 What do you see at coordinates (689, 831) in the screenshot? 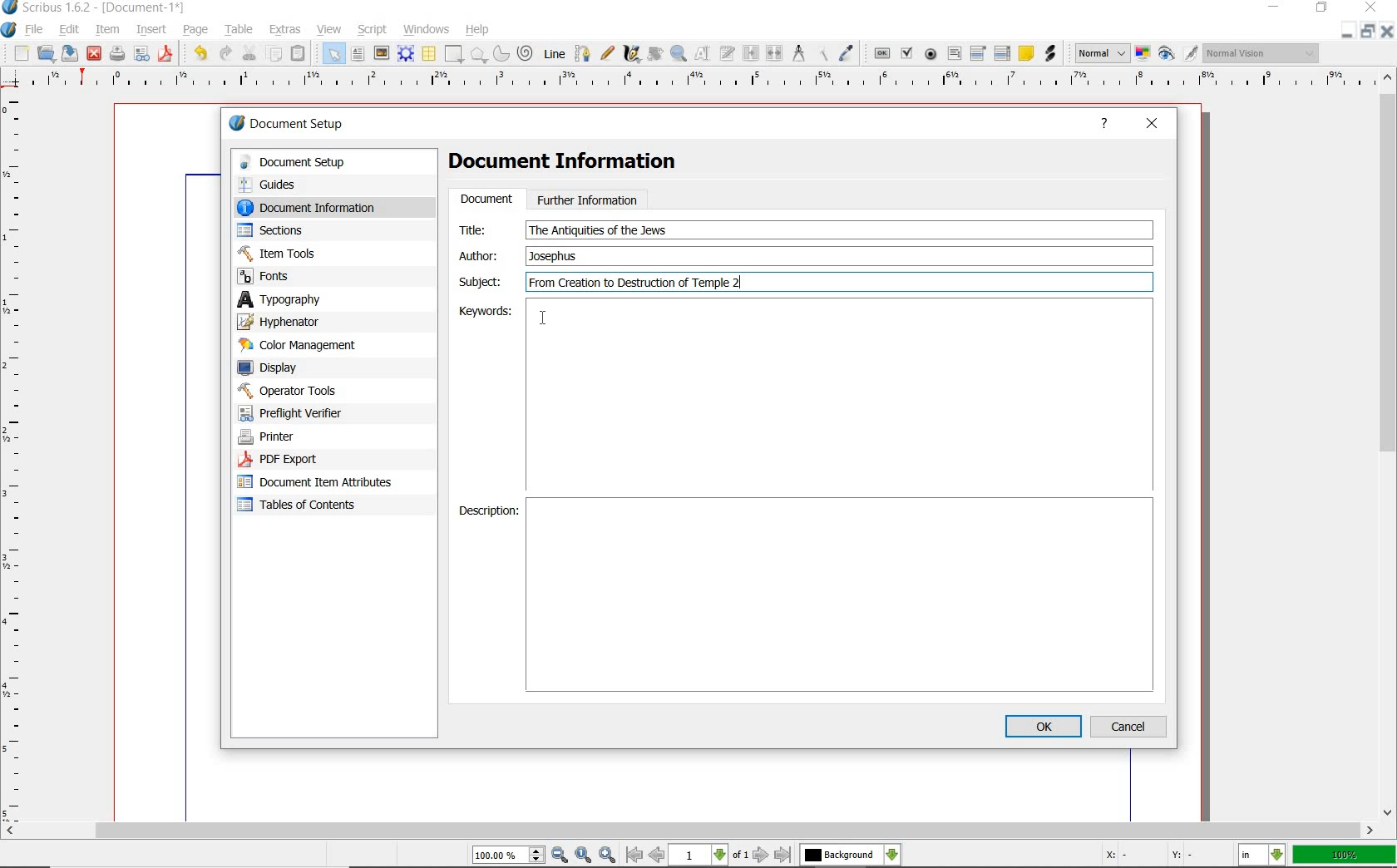
I see `scrollbar` at bounding box center [689, 831].